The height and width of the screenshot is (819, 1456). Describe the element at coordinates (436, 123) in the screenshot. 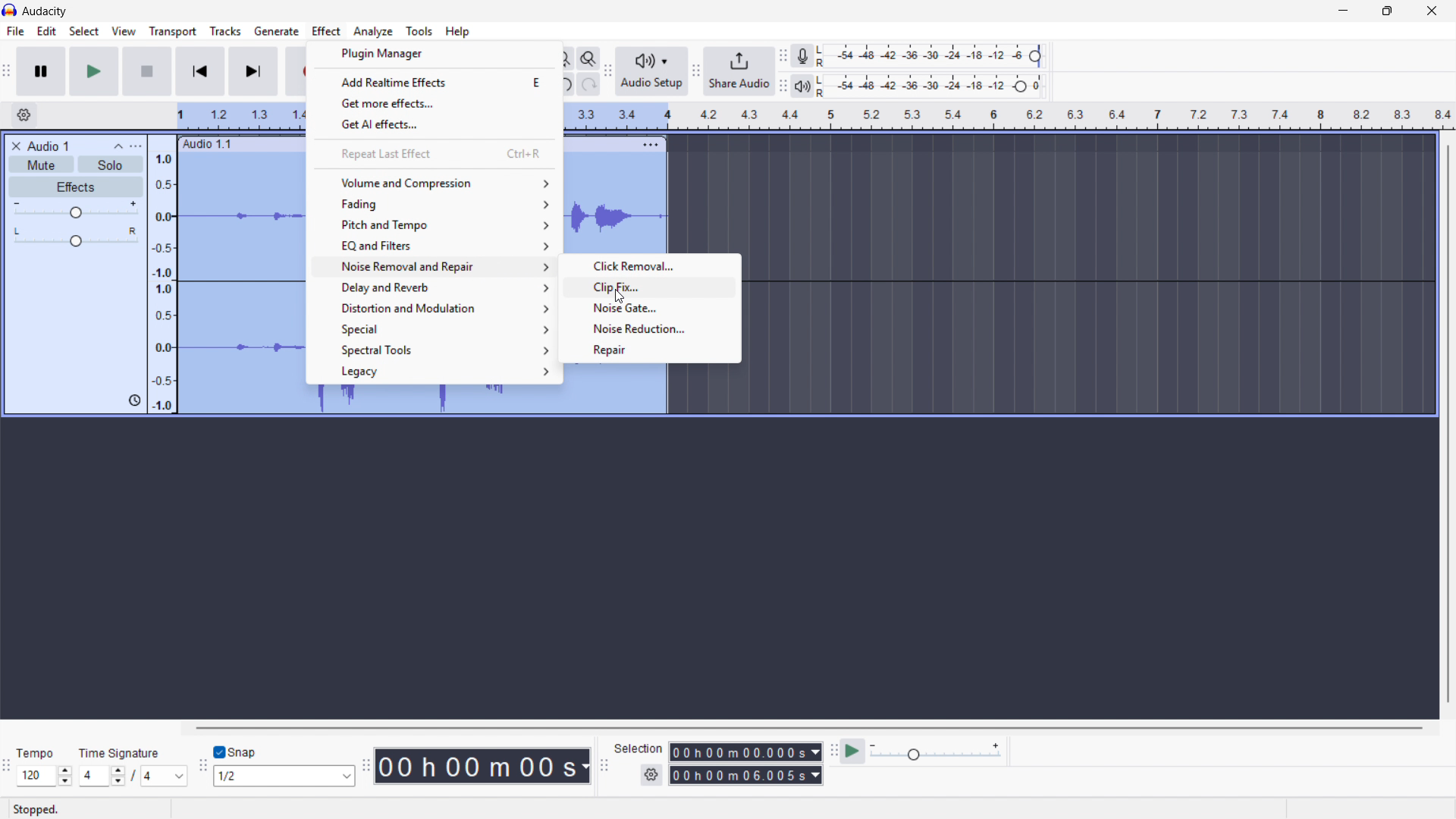

I see `Get AI effects` at that location.